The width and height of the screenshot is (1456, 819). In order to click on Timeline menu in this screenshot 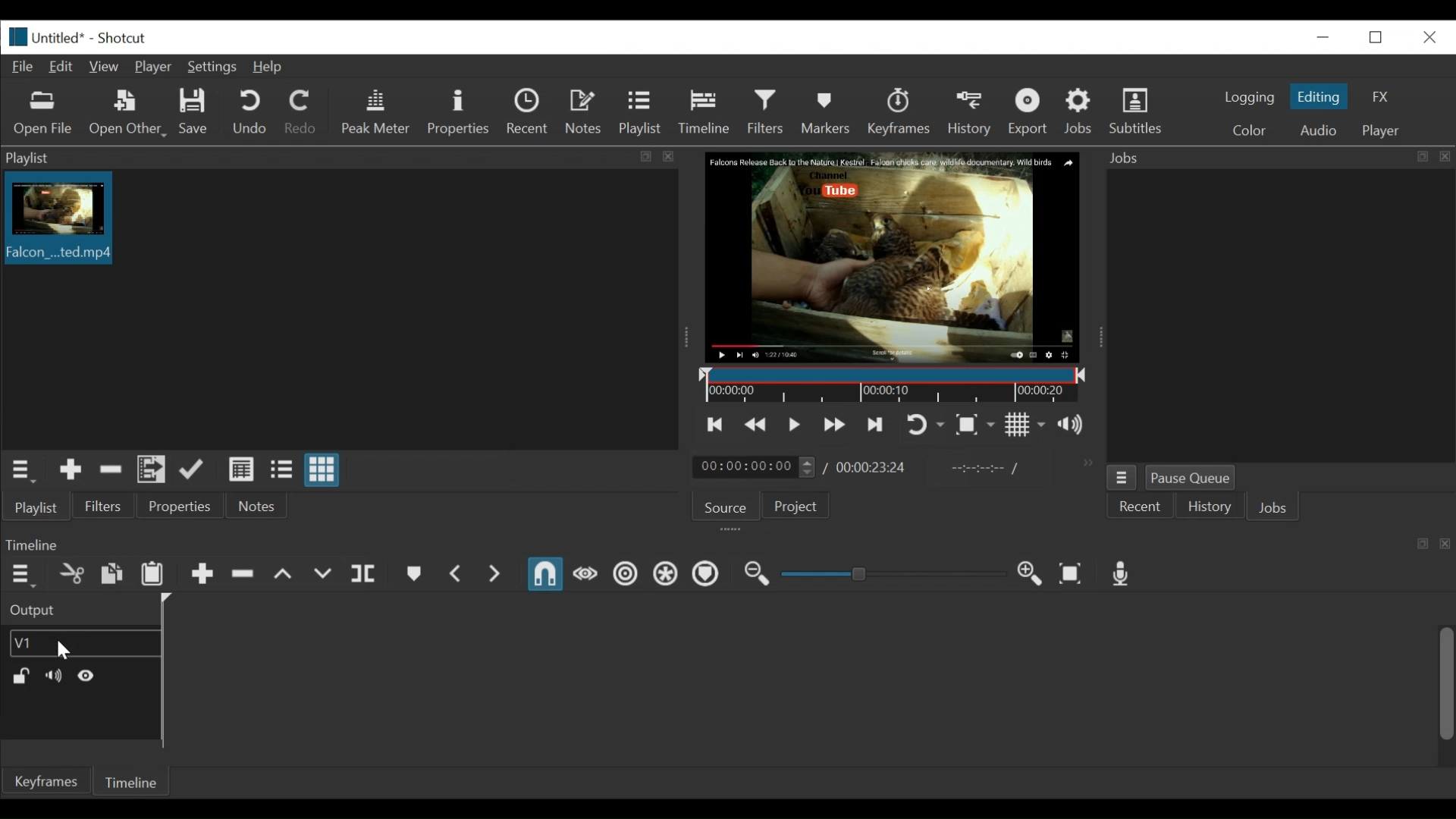, I will do `click(19, 576)`.